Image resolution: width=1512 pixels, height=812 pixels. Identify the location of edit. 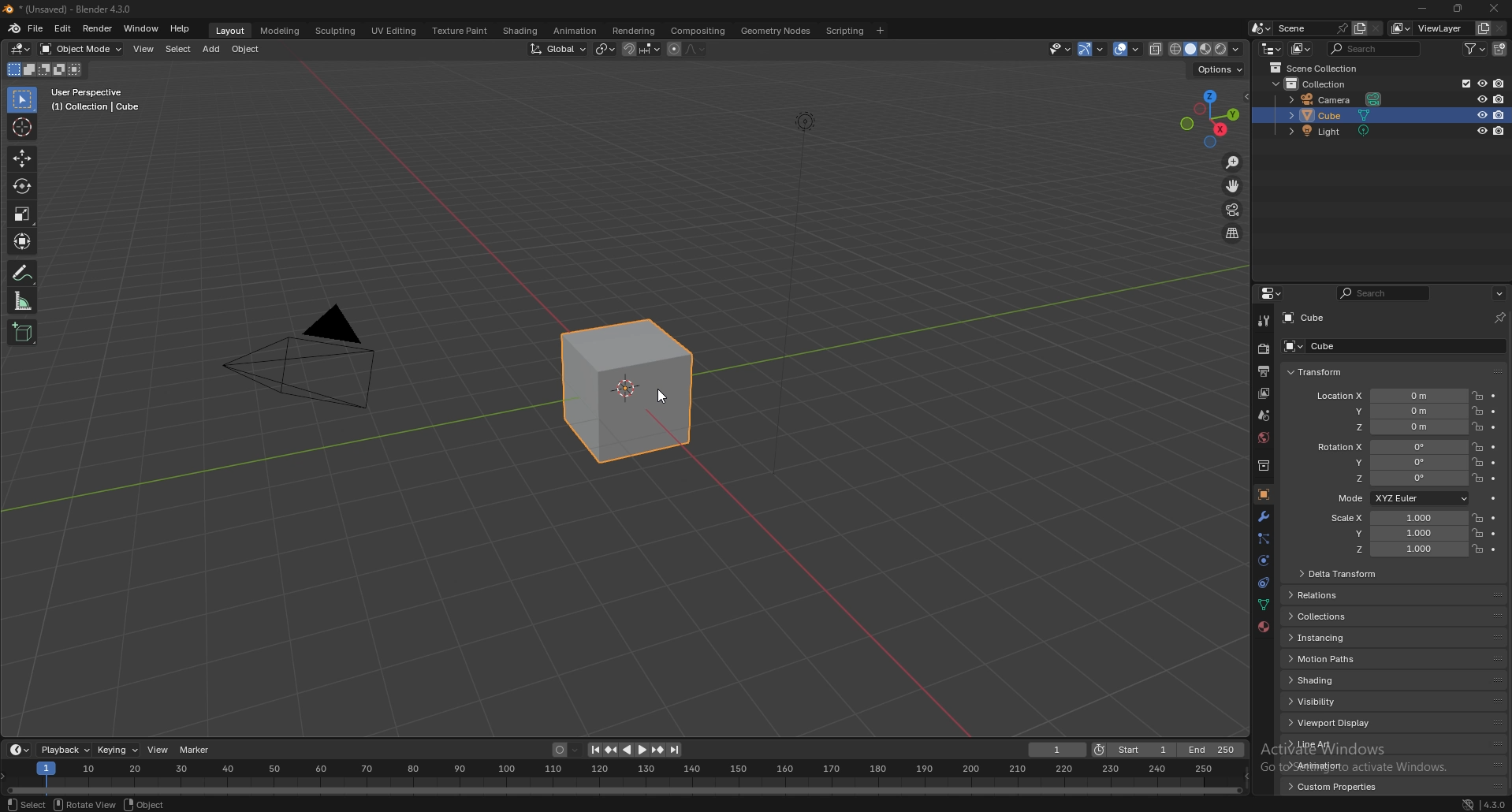
(63, 28).